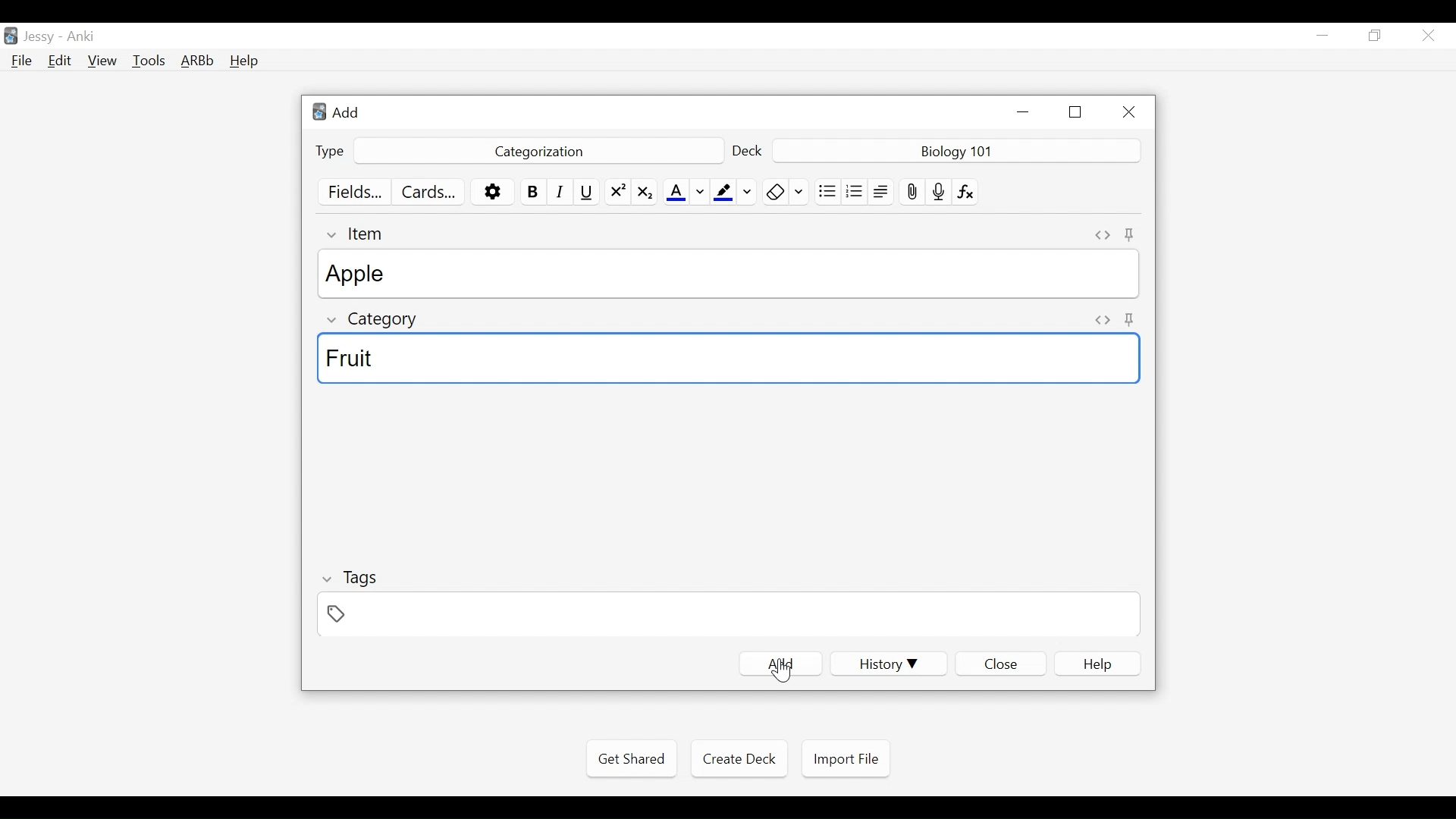 This screenshot has width=1456, height=819. Describe the element at coordinates (103, 61) in the screenshot. I see `View` at that location.